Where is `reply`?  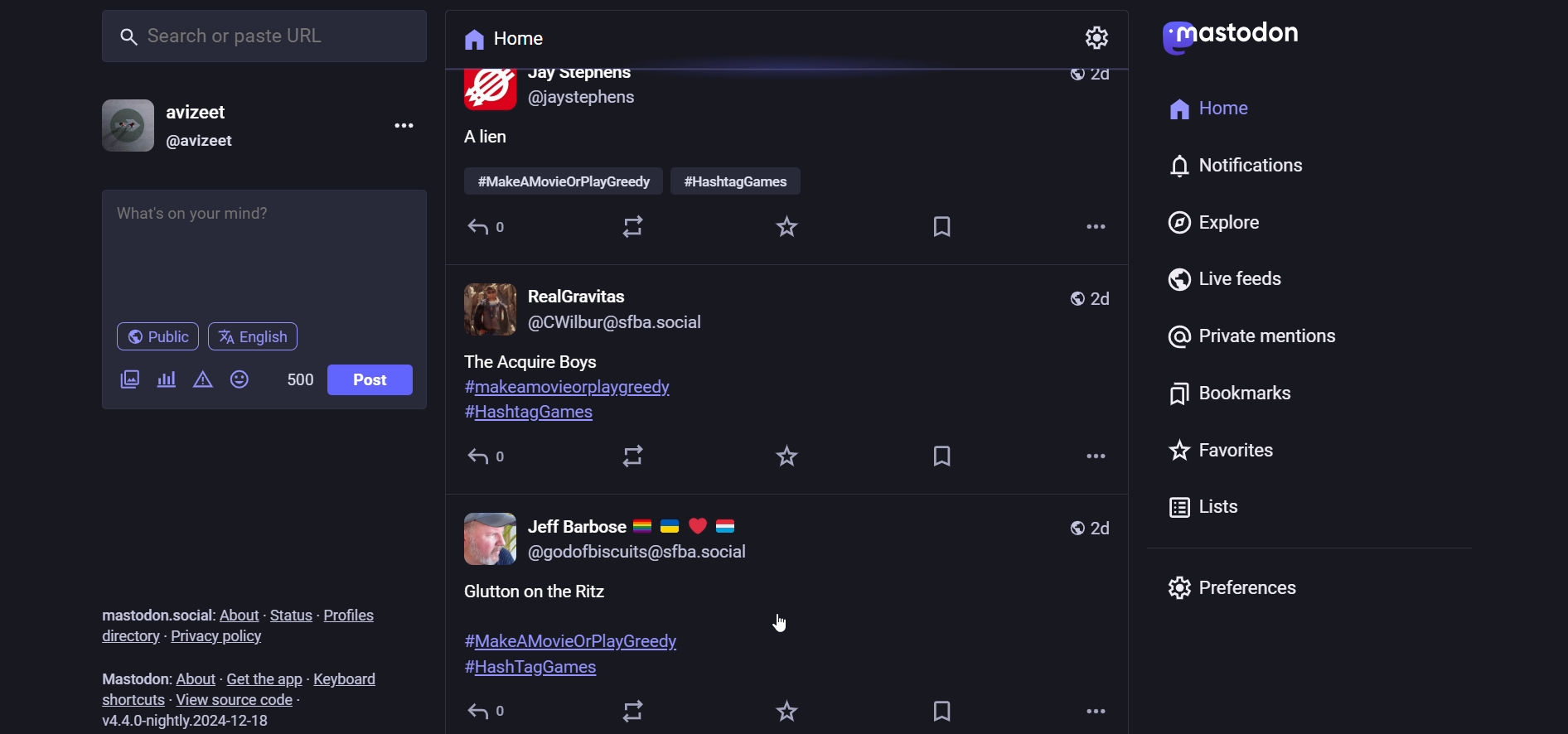
reply is located at coordinates (487, 710).